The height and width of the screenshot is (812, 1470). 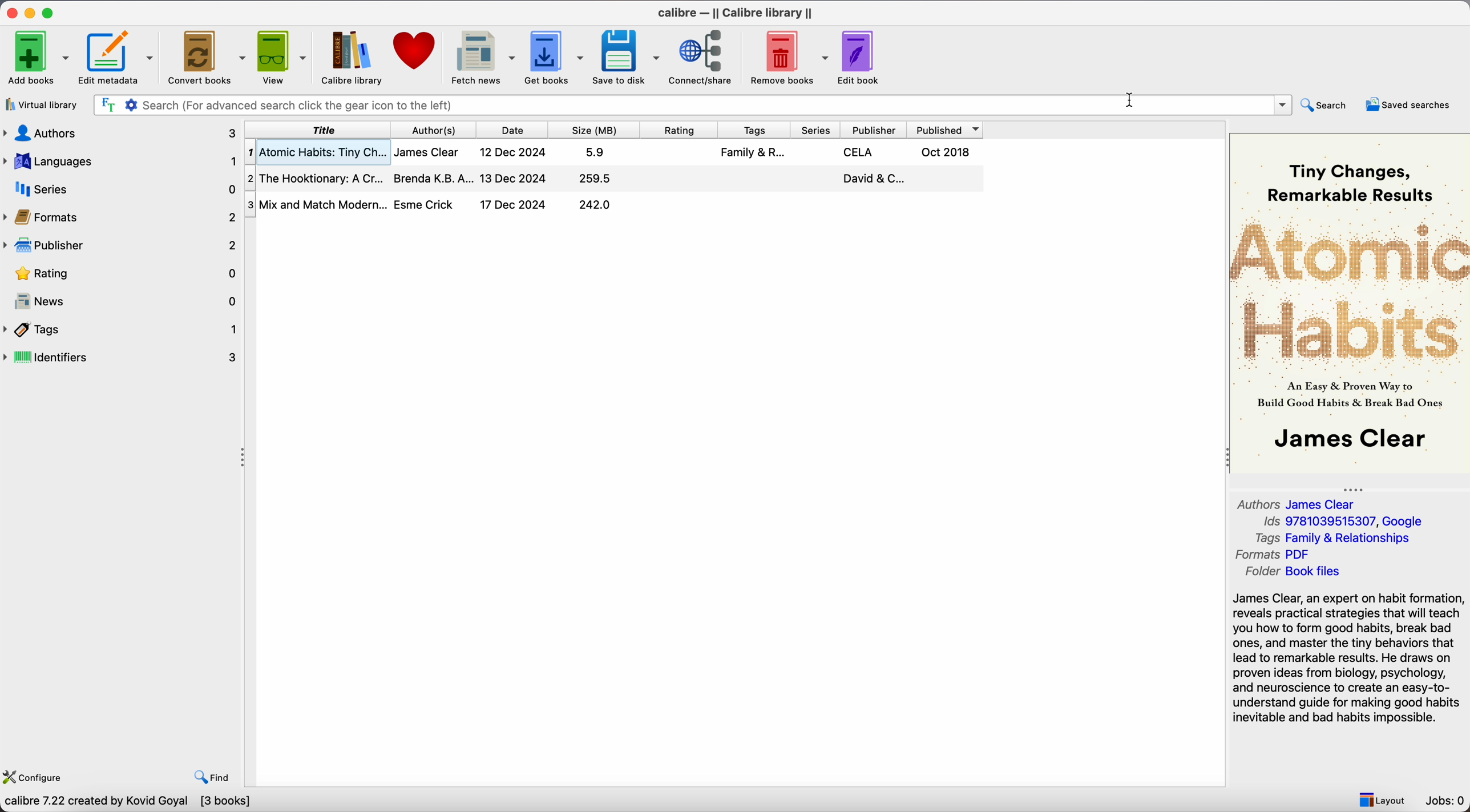 I want to click on David & C..., so click(x=871, y=179).